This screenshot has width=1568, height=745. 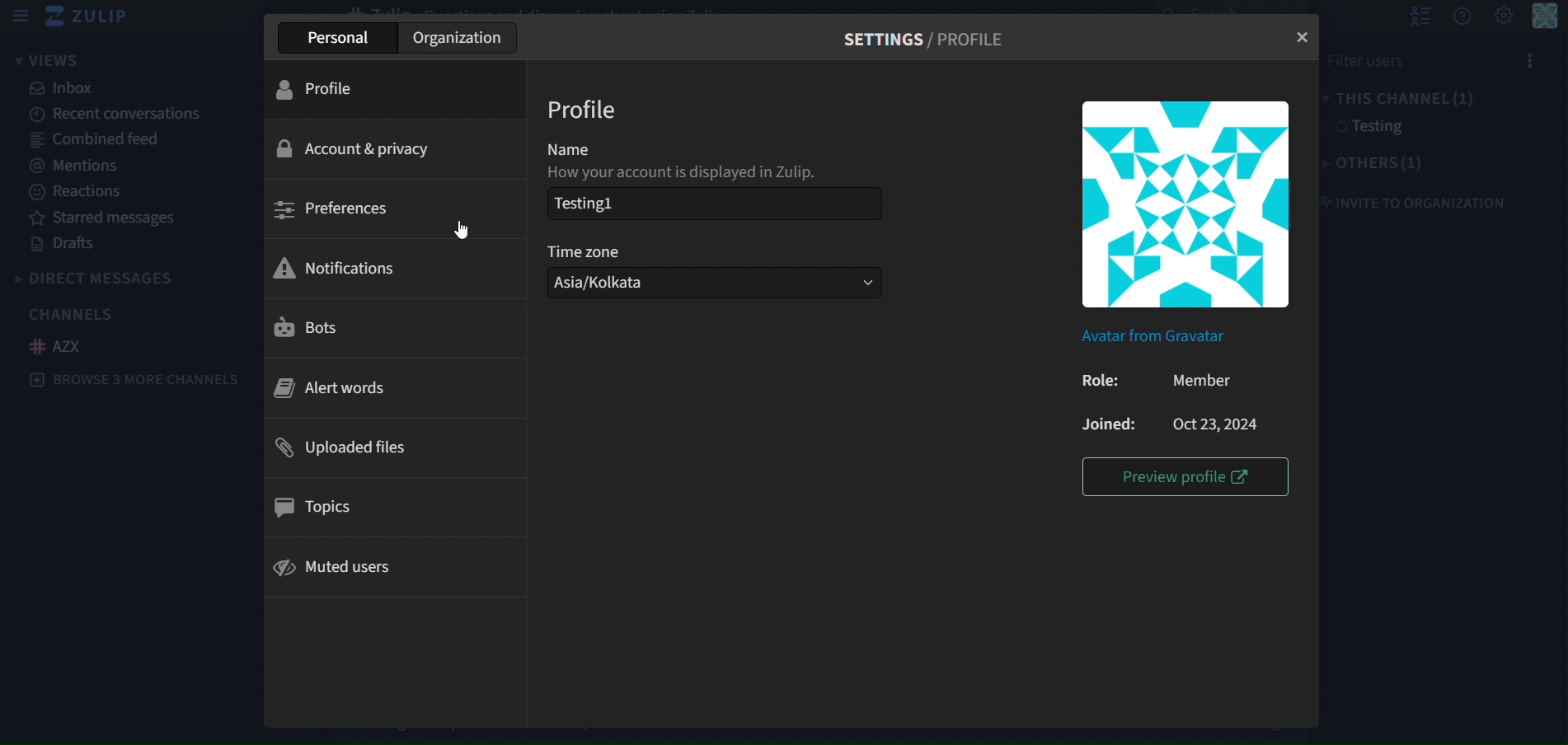 I want to click on inbox, so click(x=63, y=89).